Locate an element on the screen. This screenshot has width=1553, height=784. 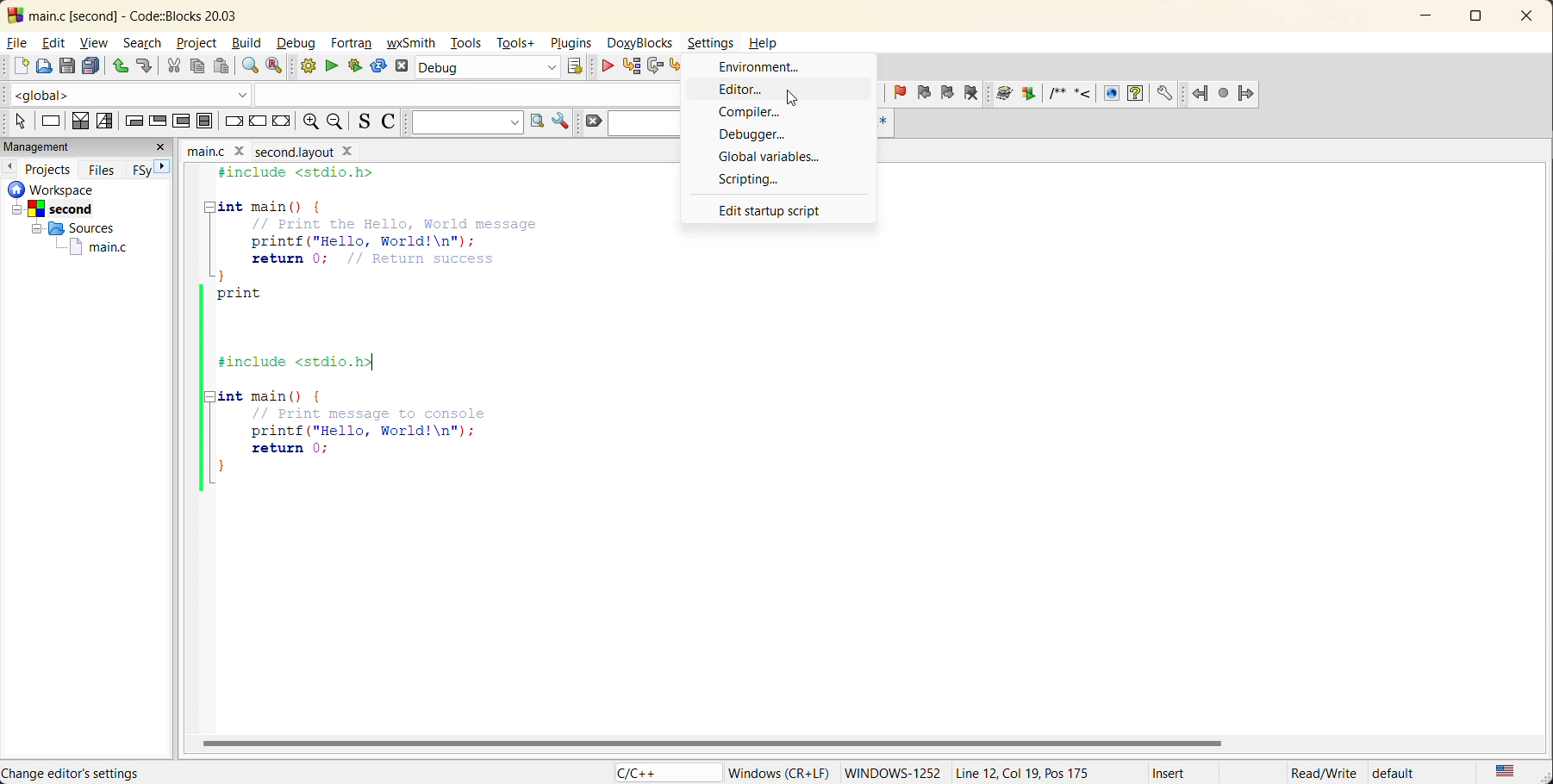
main.c is located at coordinates (96, 248).